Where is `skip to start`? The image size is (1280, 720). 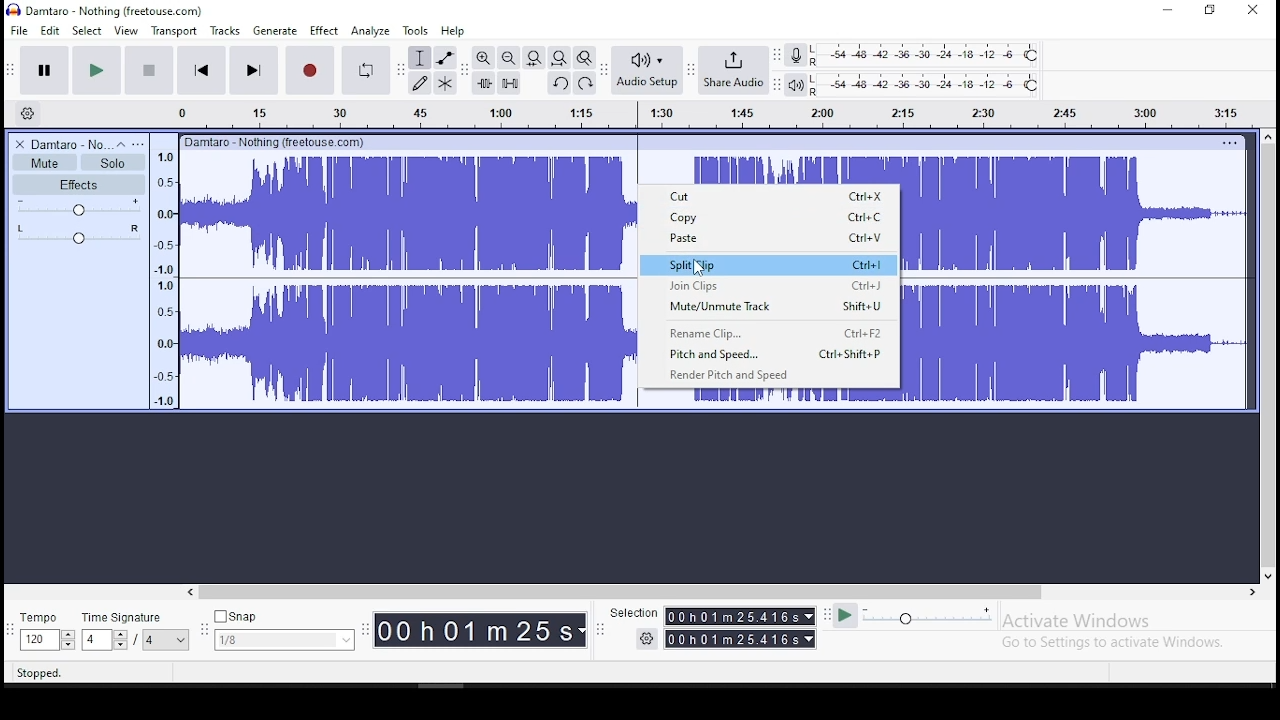
skip to start is located at coordinates (202, 70).